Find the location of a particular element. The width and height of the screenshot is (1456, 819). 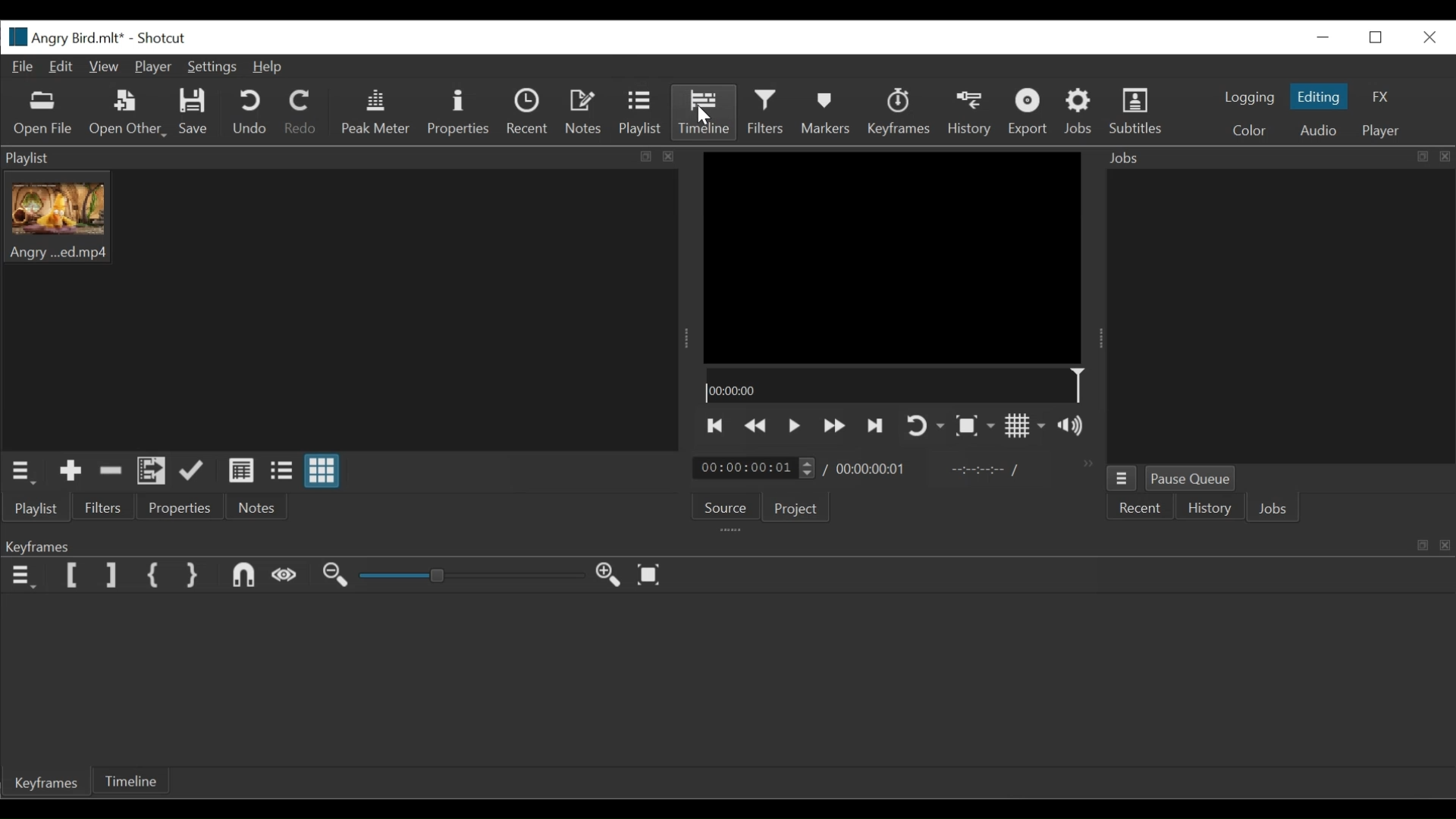

Jobs Panel is located at coordinates (1278, 157).